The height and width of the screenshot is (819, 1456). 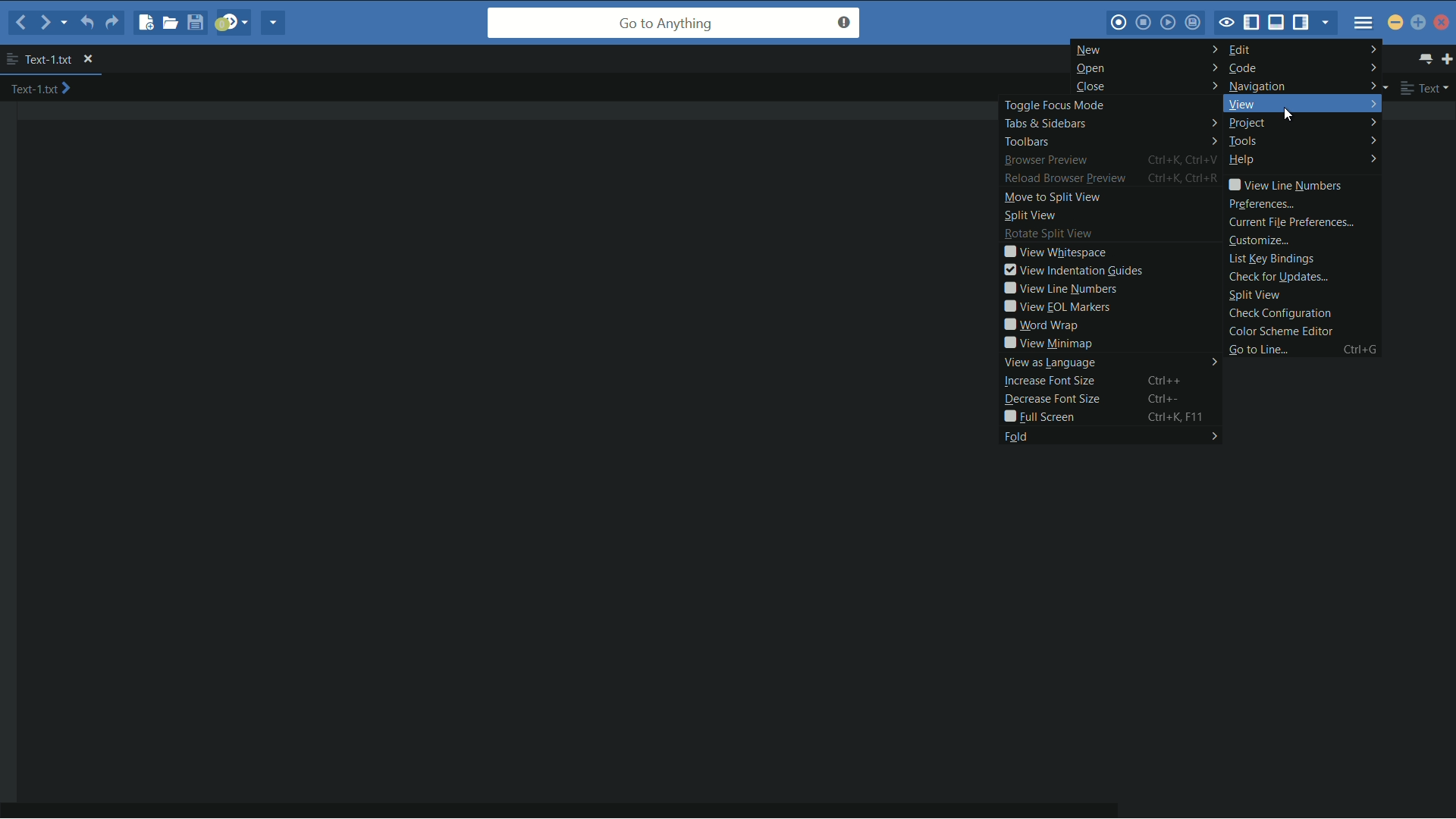 I want to click on jump to next syntax correcting result, so click(x=233, y=22).